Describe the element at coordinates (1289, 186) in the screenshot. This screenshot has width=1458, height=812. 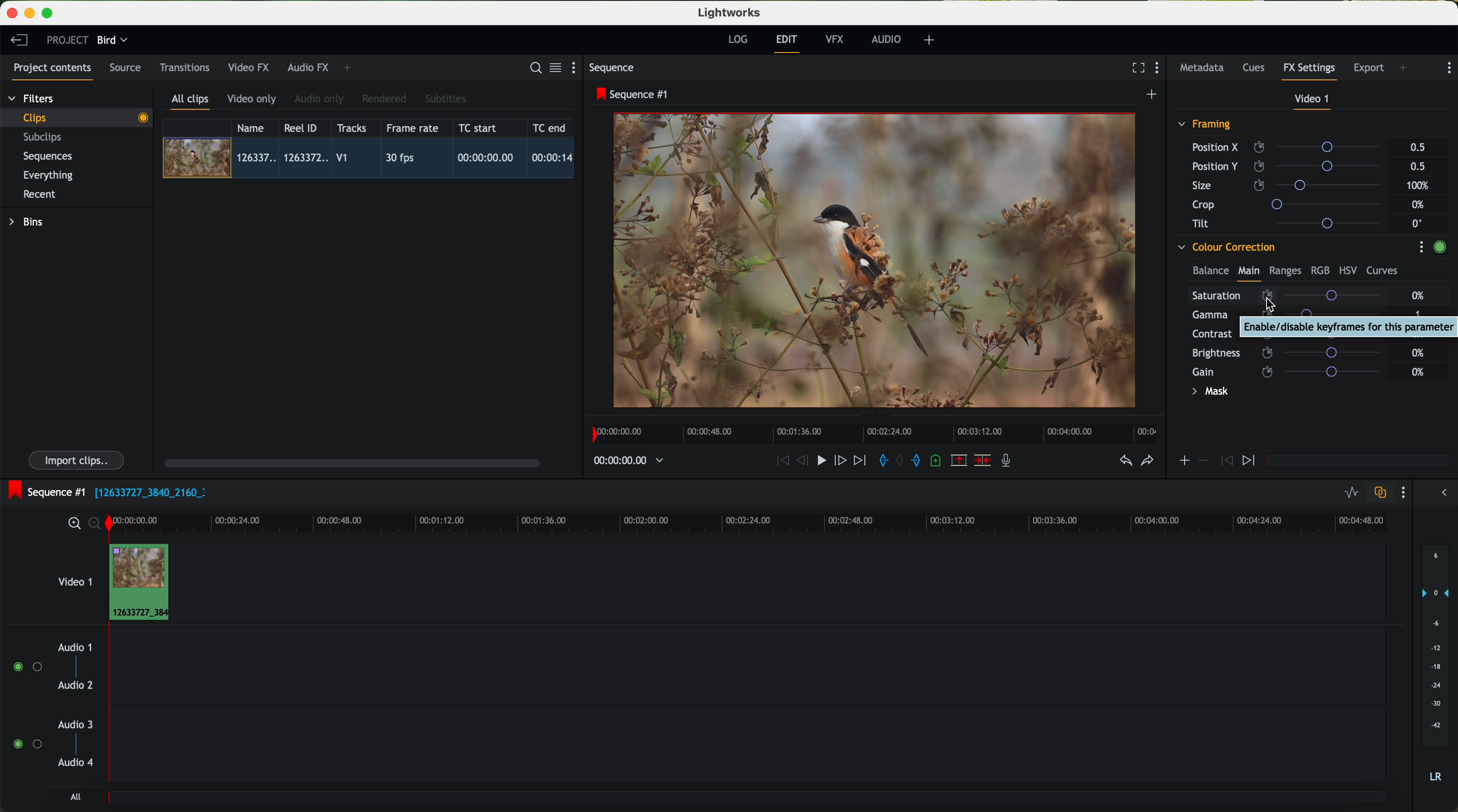
I see `size` at that location.